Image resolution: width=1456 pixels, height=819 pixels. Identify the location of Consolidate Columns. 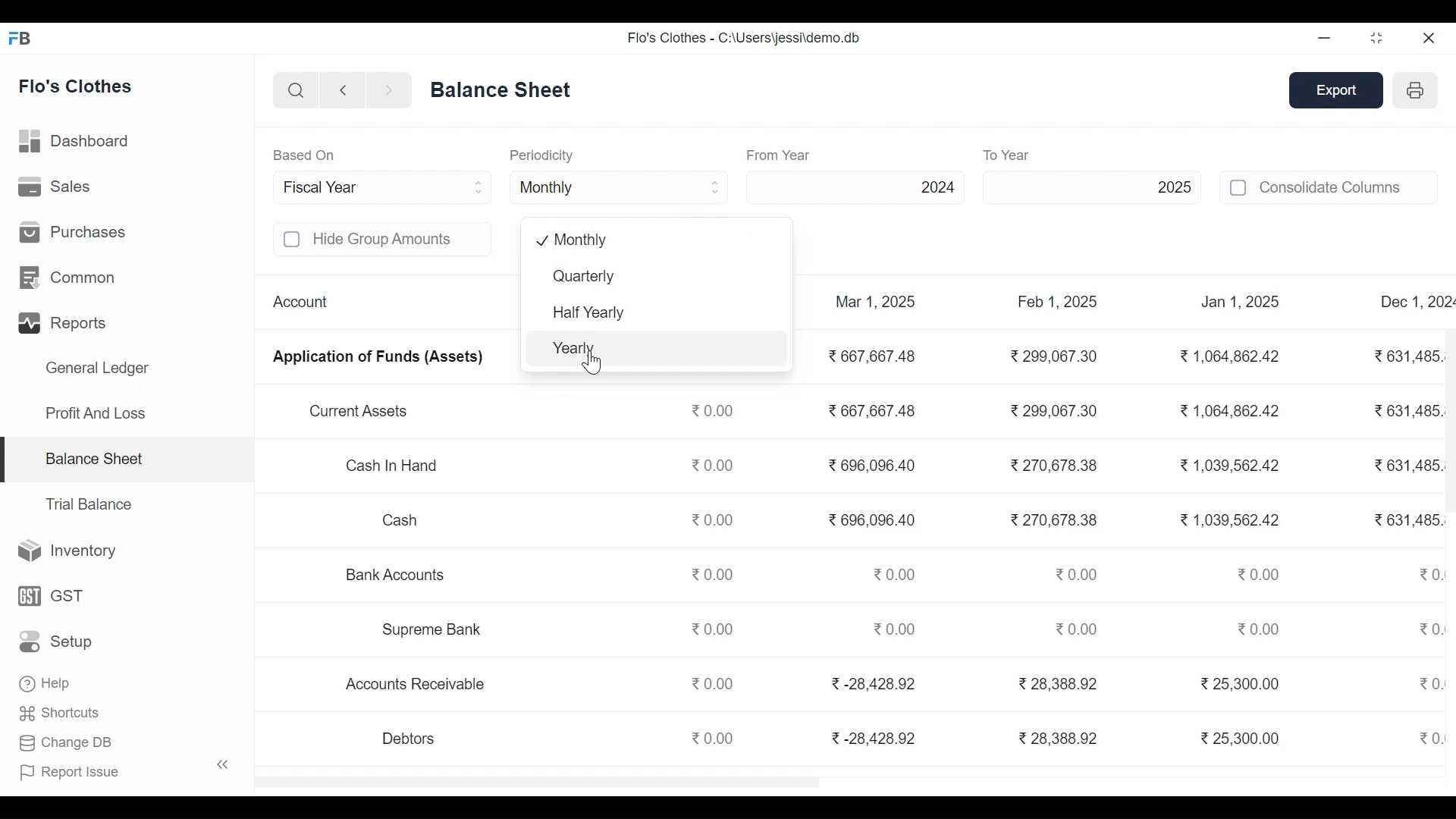
(1348, 187).